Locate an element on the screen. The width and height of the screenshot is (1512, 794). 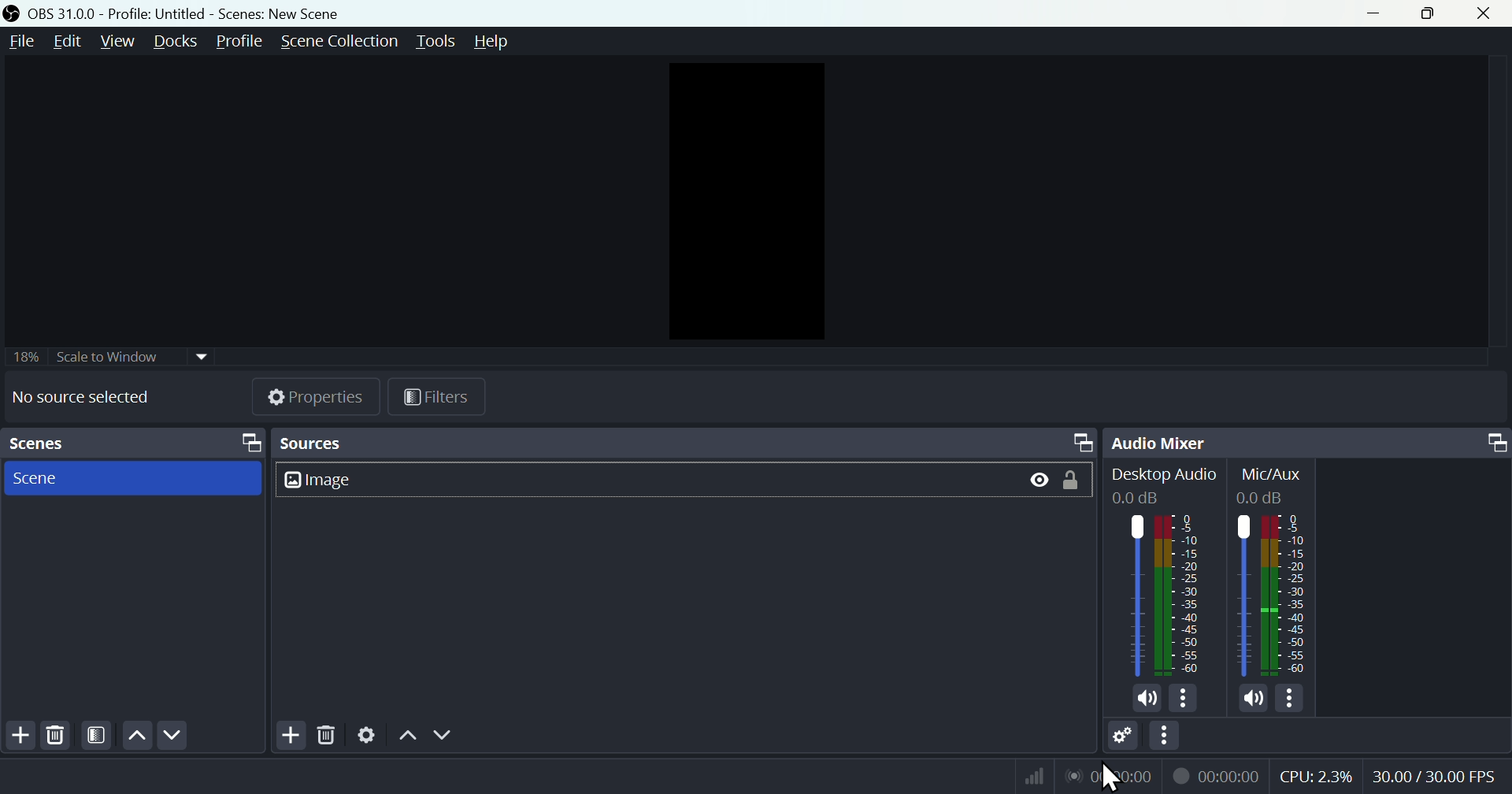
help is located at coordinates (495, 42).